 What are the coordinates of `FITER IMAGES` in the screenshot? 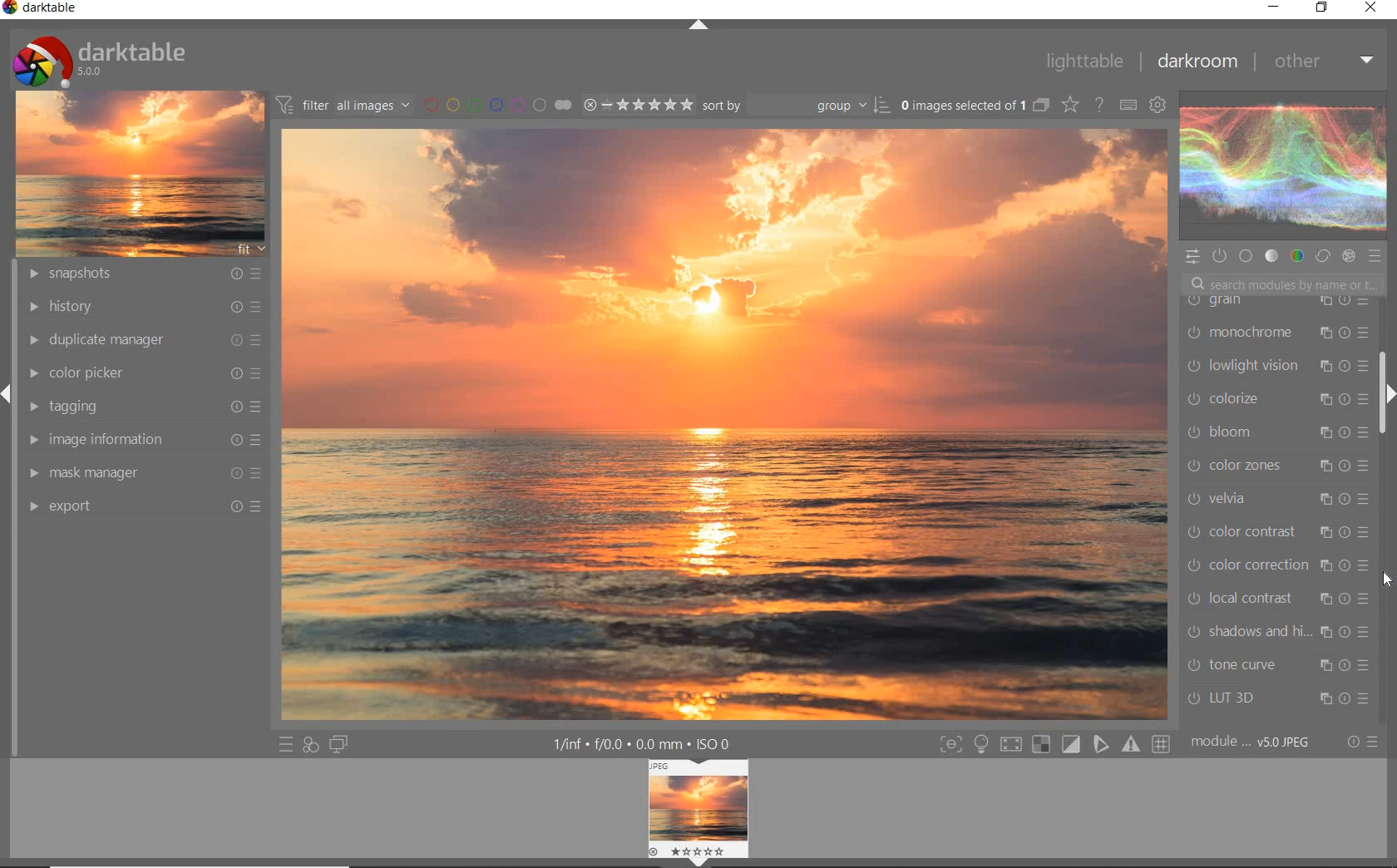 It's located at (343, 104).